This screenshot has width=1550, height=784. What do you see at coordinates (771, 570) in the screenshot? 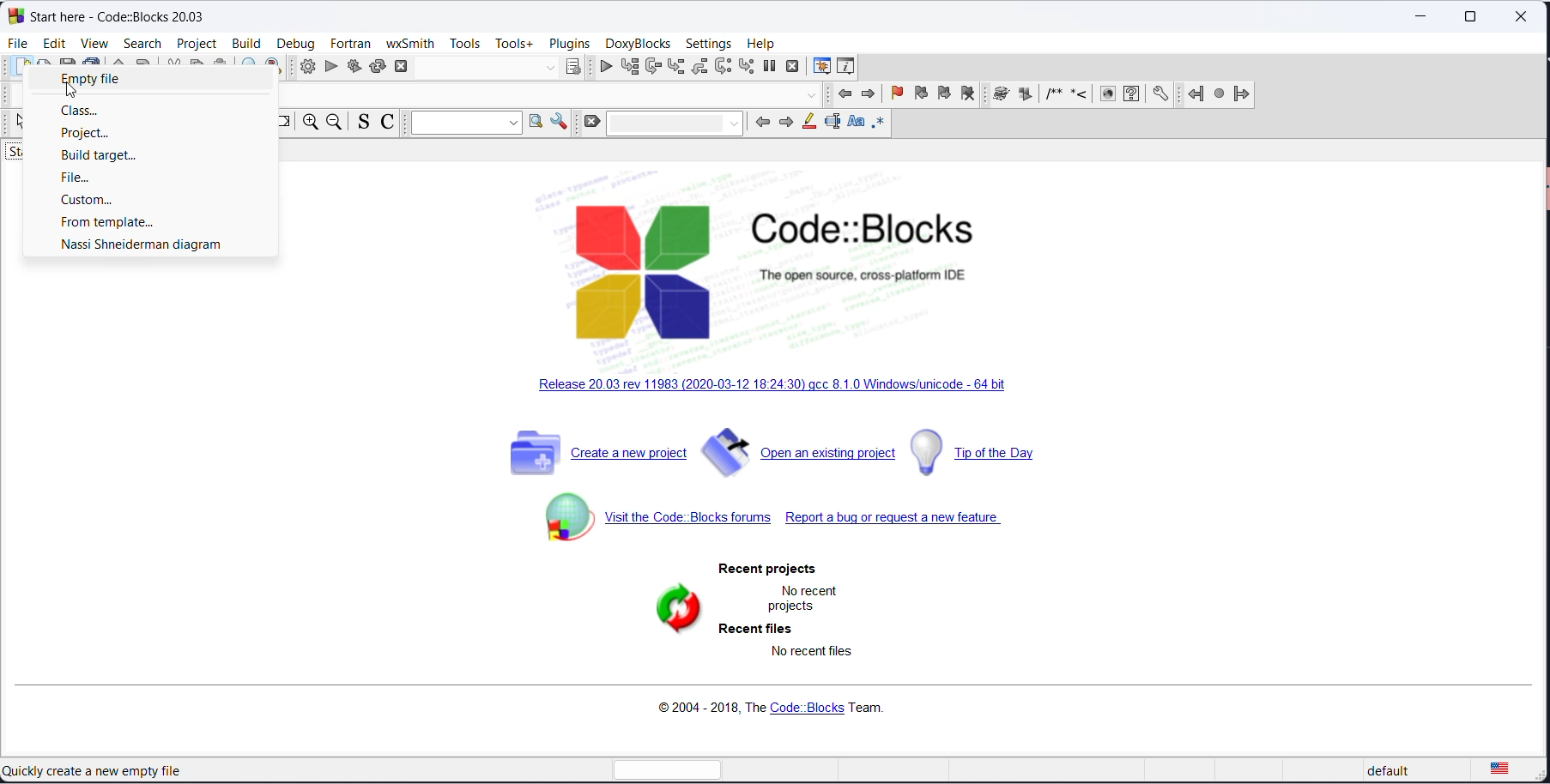
I see `recent projects` at bounding box center [771, 570].